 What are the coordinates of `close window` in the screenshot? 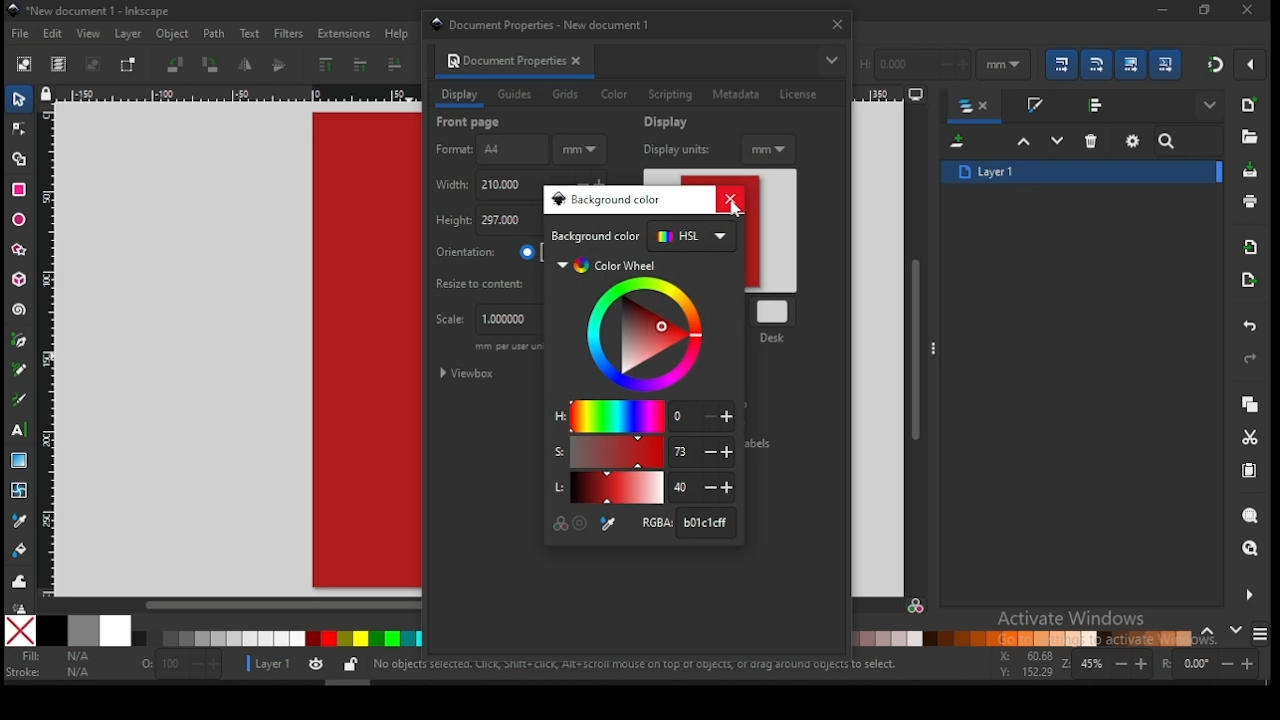 It's located at (1203, 10).